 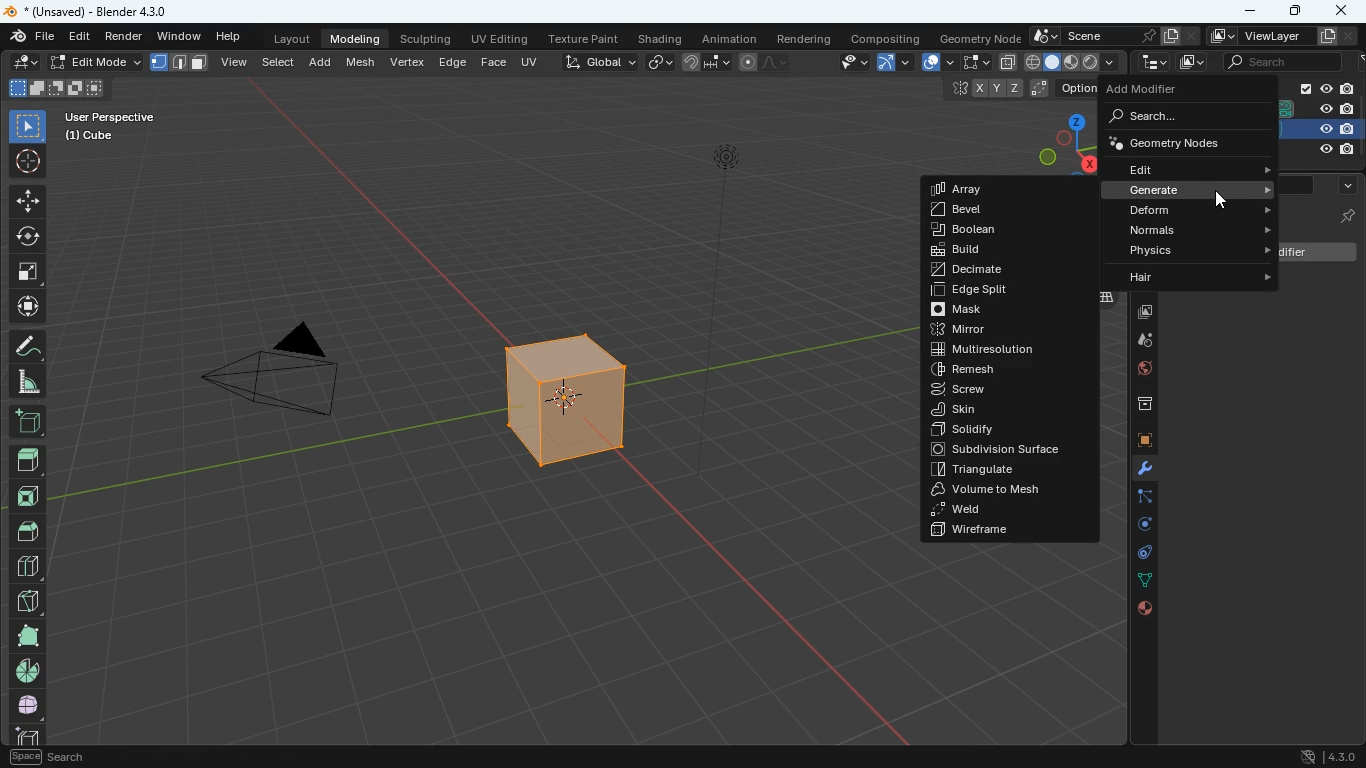 What do you see at coordinates (1296, 11) in the screenshot?
I see `maximize` at bounding box center [1296, 11].